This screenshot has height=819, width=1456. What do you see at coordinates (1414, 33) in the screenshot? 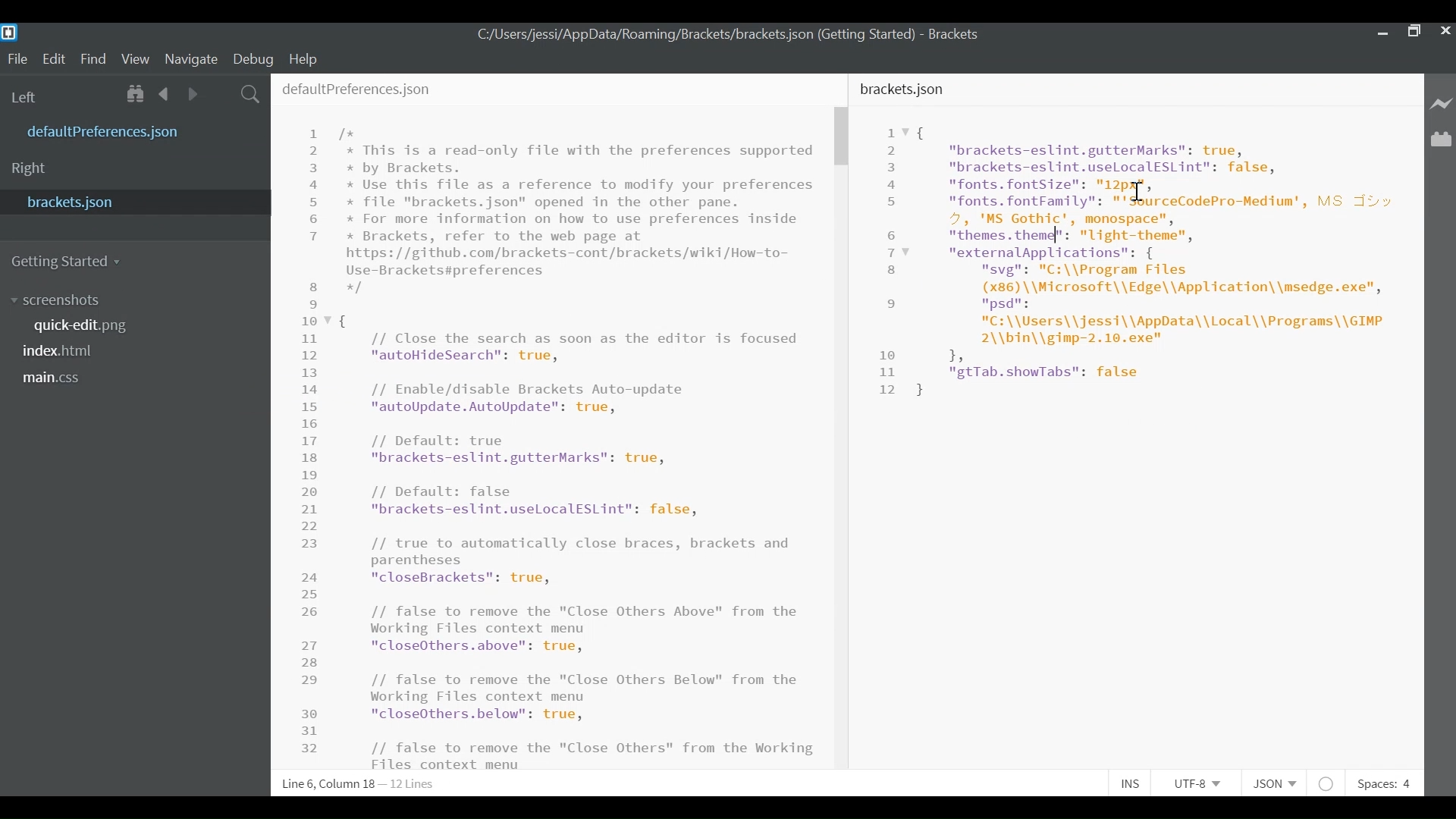
I see `Maximize` at bounding box center [1414, 33].